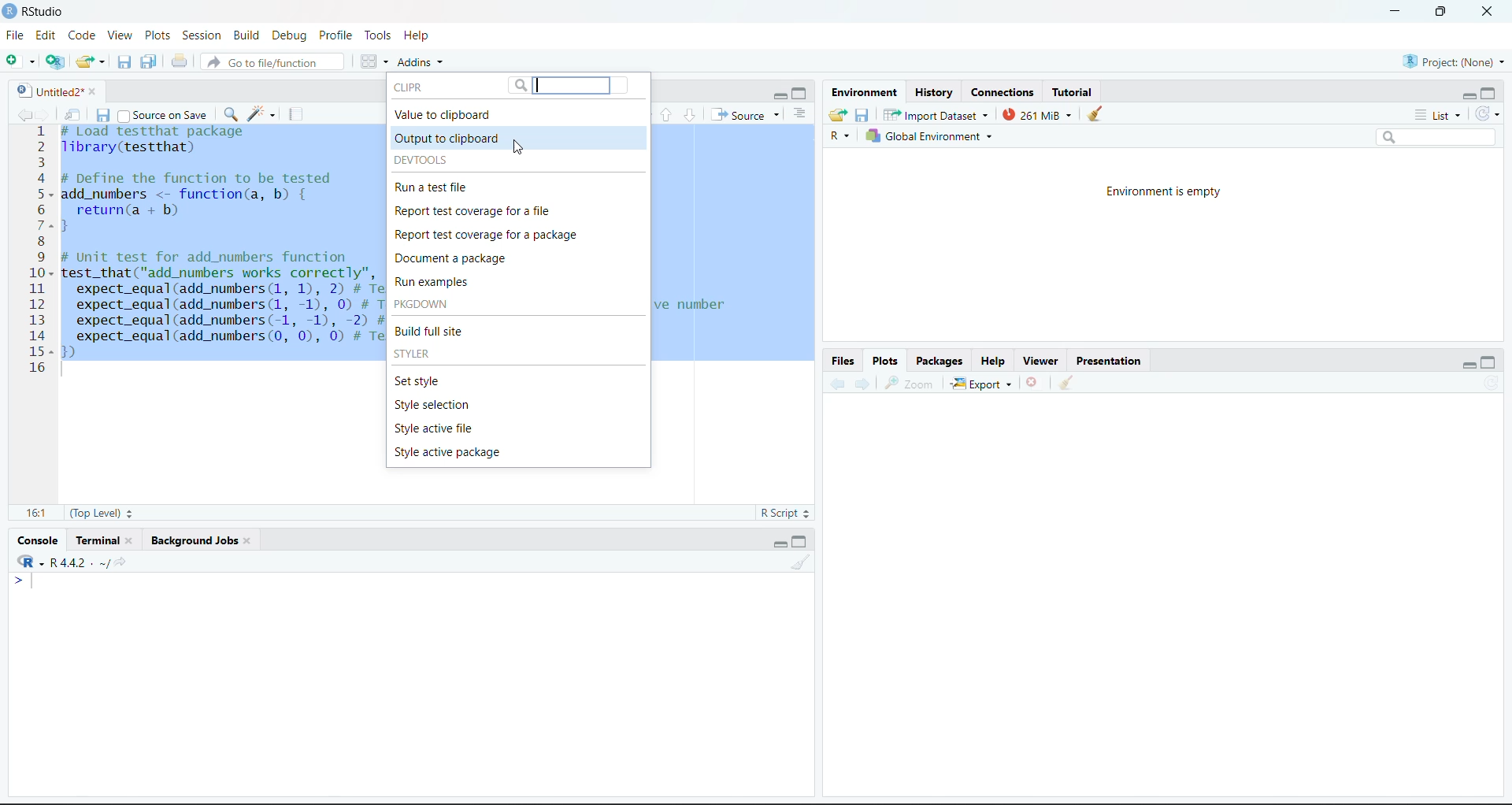  What do you see at coordinates (1035, 383) in the screenshot?
I see `Delete file` at bounding box center [1035, 383].